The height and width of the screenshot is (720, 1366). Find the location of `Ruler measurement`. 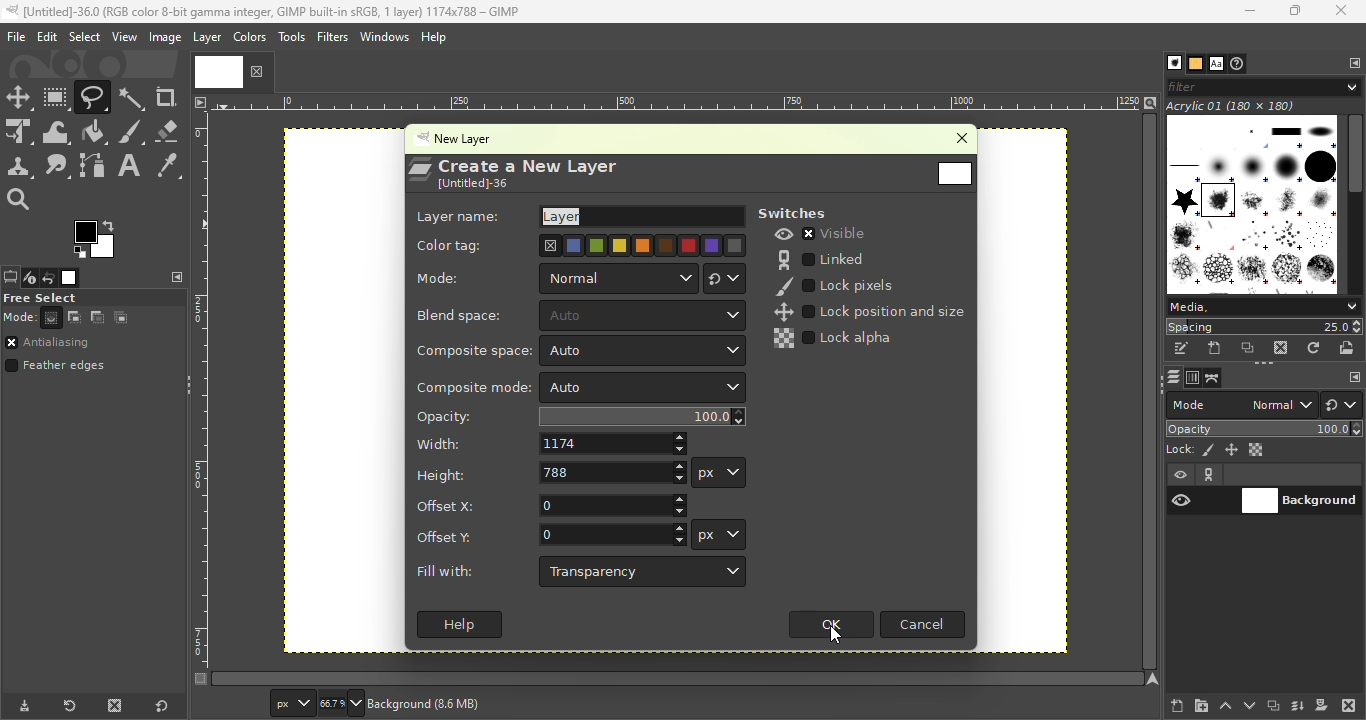

Ruler measurement is located at coordinates (292, 702).